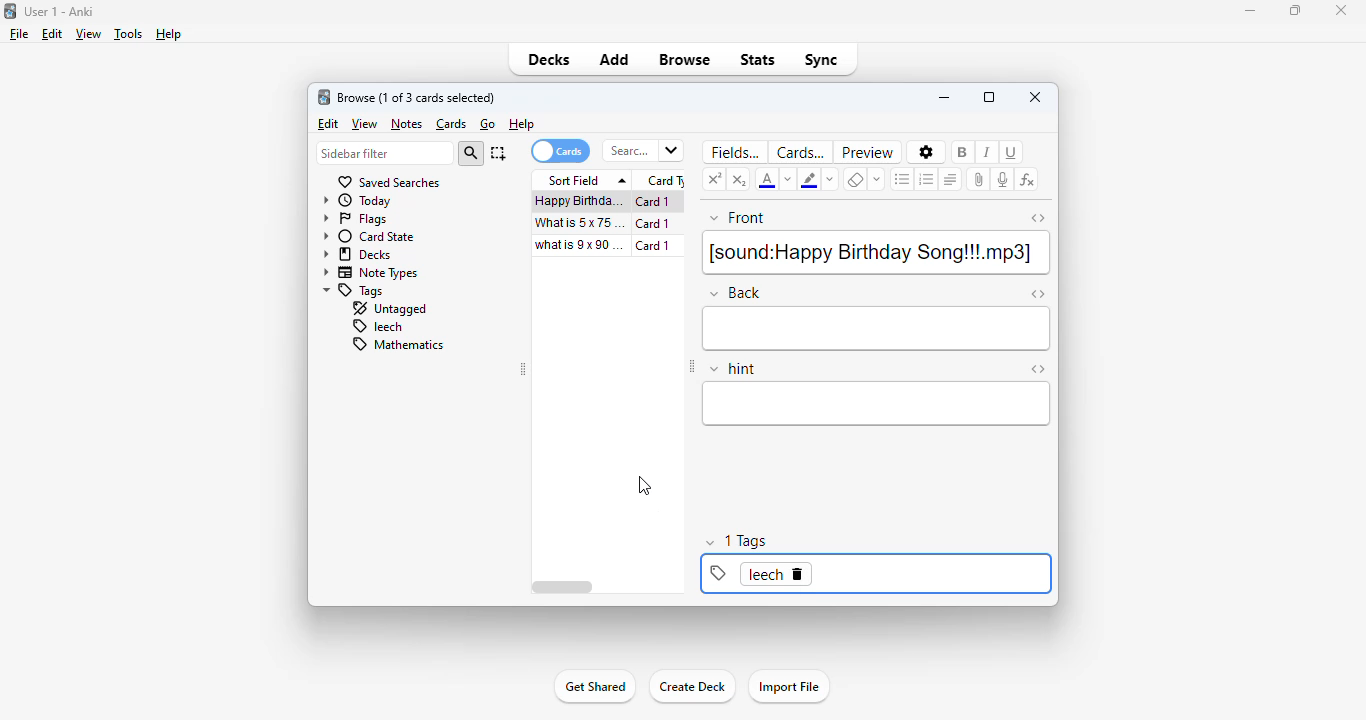  I want to click on view, so click(89, 34).